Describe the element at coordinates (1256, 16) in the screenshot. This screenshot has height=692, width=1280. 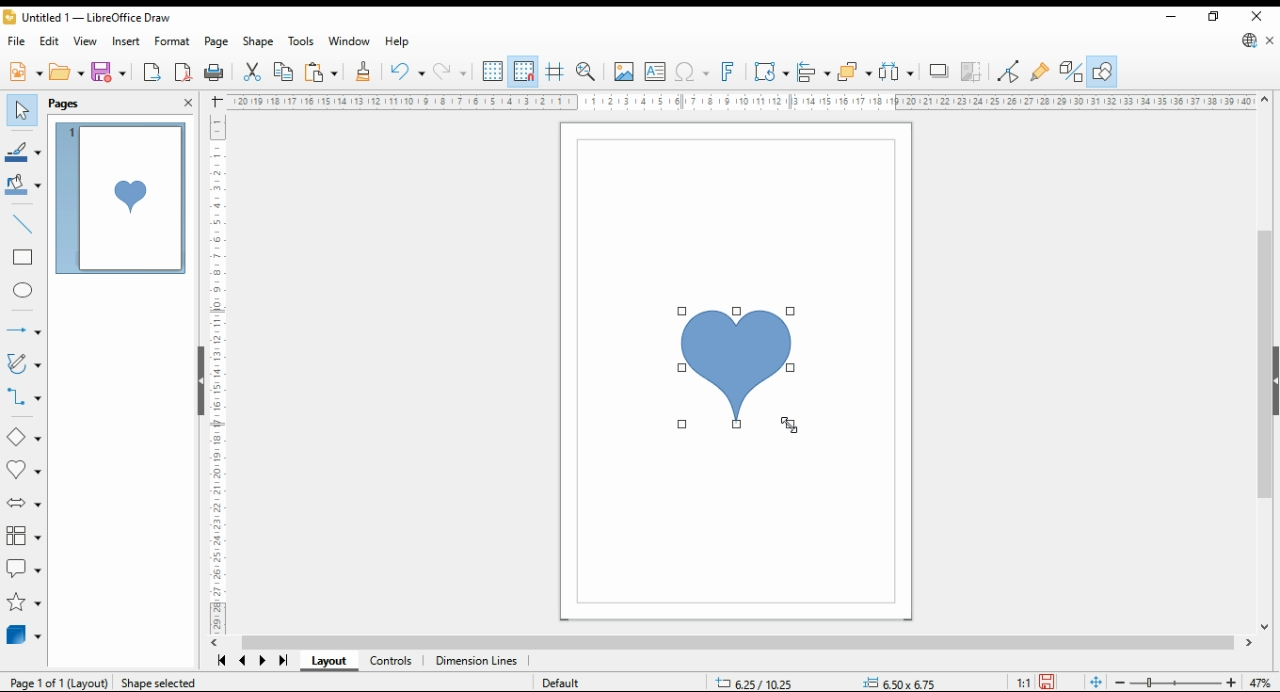
I see `close window` at that location.